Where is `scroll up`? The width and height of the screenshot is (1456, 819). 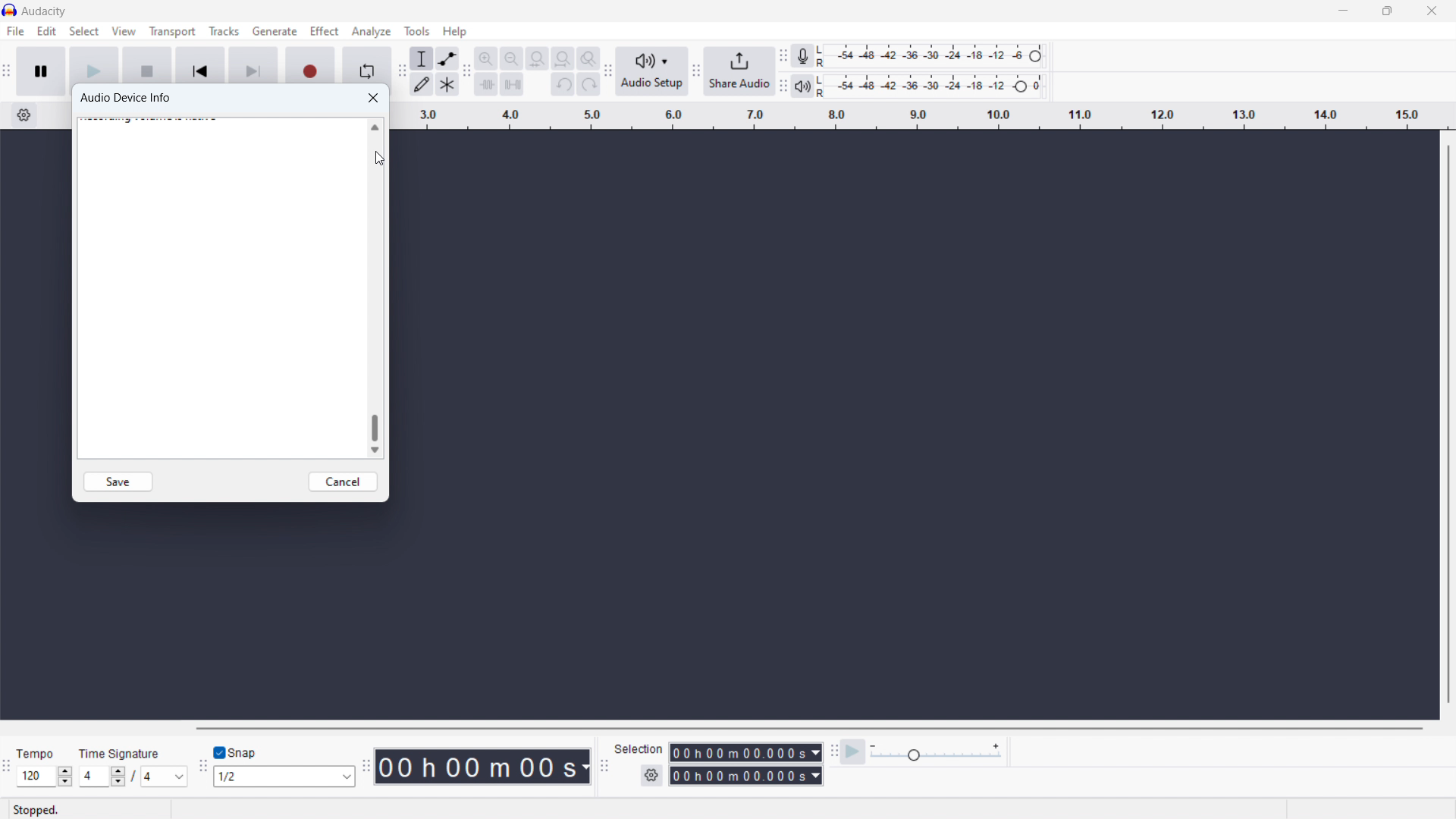 scroll up is located at coordinates (374, 127).